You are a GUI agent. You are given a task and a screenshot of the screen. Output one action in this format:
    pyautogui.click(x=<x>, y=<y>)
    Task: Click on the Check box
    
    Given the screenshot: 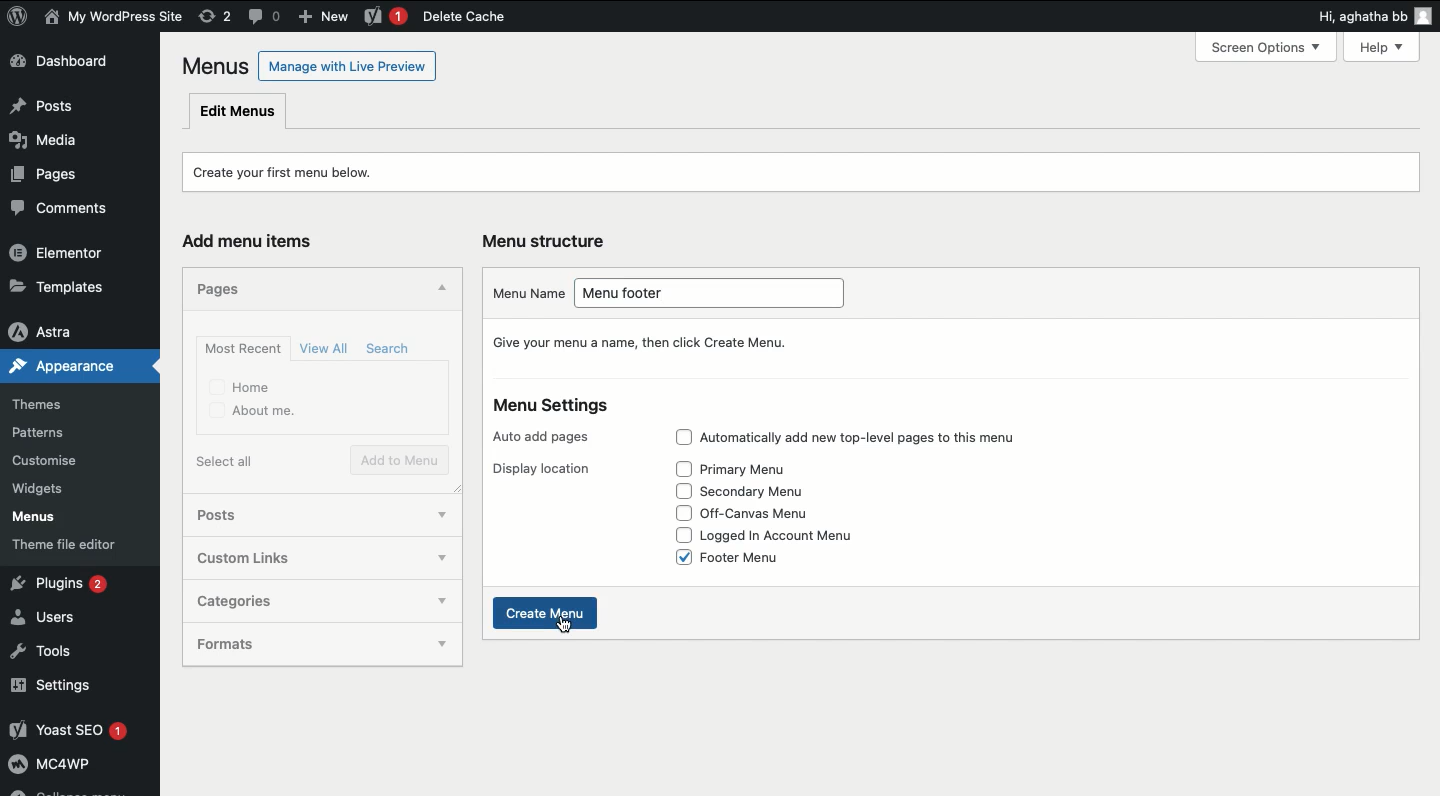 What is the action you would take?
    pyautogui.click(x=682, y=438)
    